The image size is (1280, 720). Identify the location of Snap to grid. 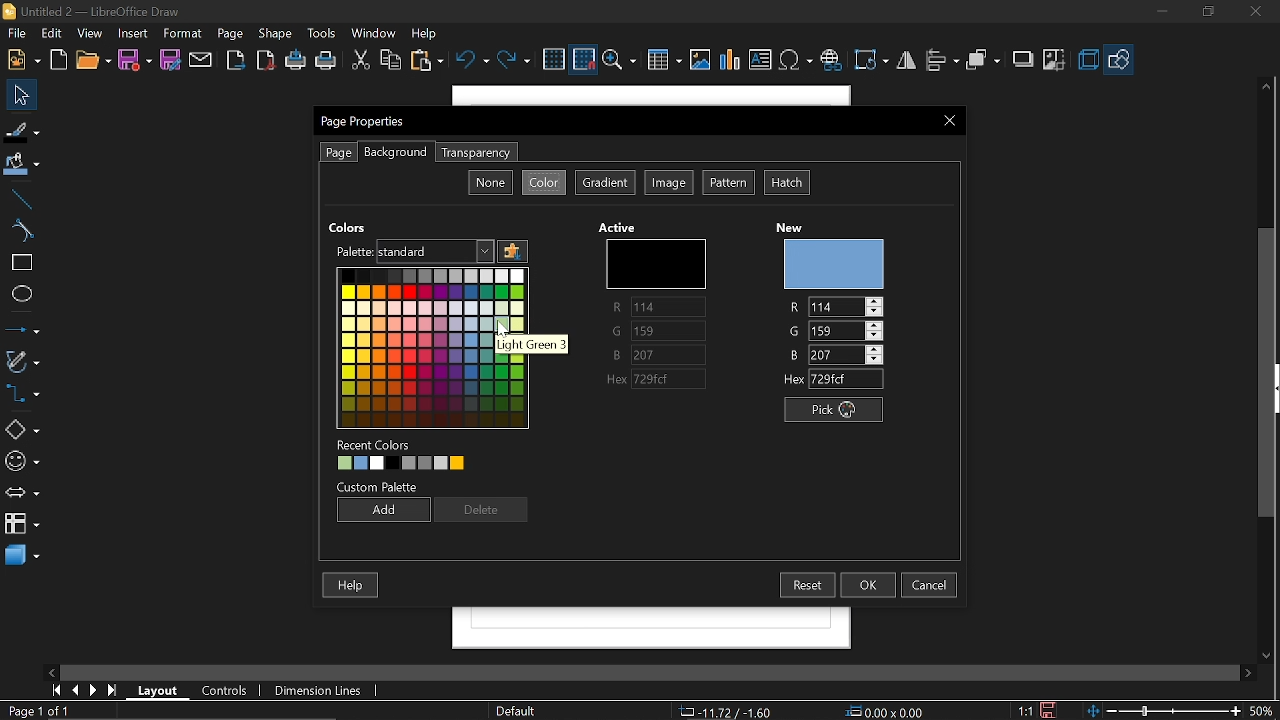
(584, 59).